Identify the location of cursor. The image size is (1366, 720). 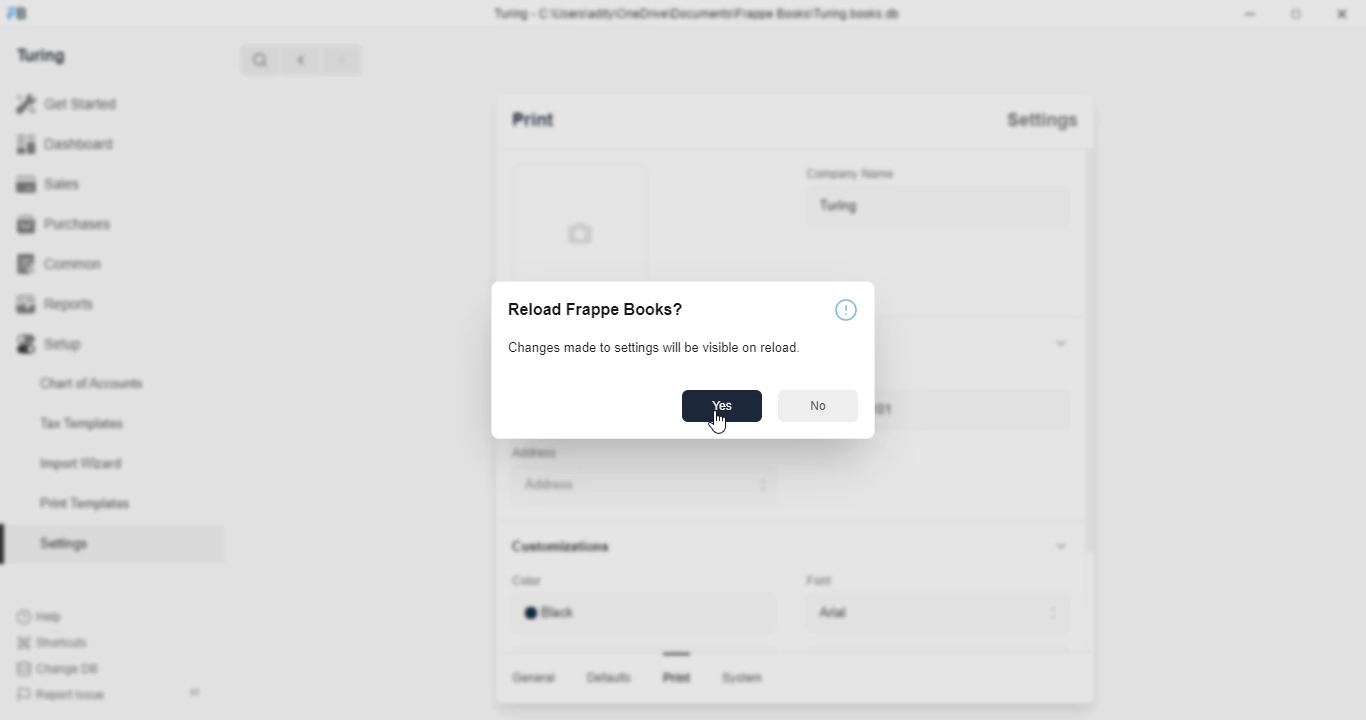
(717, 420).